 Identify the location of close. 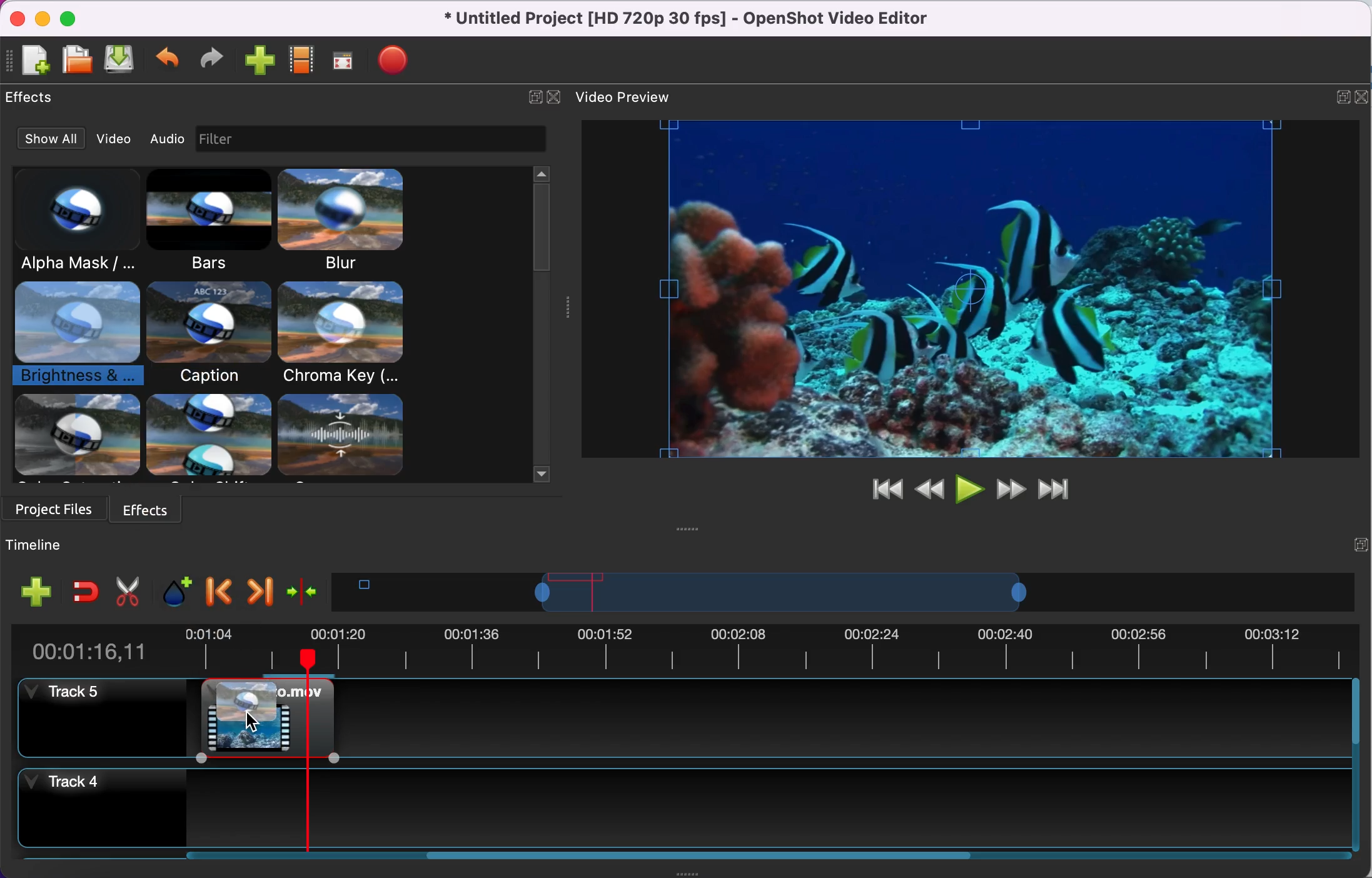
(20, 17).